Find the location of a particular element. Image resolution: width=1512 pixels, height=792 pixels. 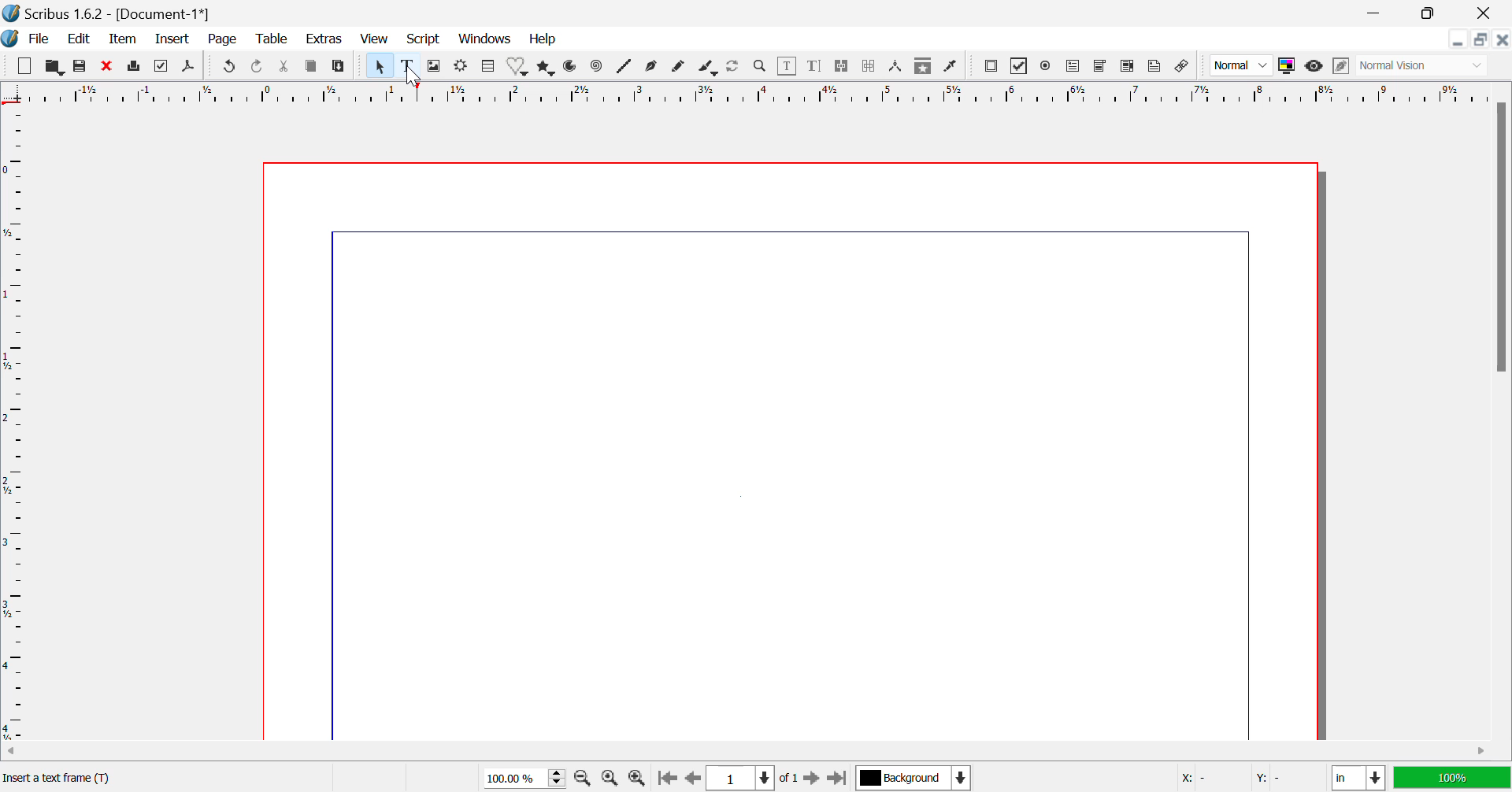

Copy is located at coordinates (312, 66).